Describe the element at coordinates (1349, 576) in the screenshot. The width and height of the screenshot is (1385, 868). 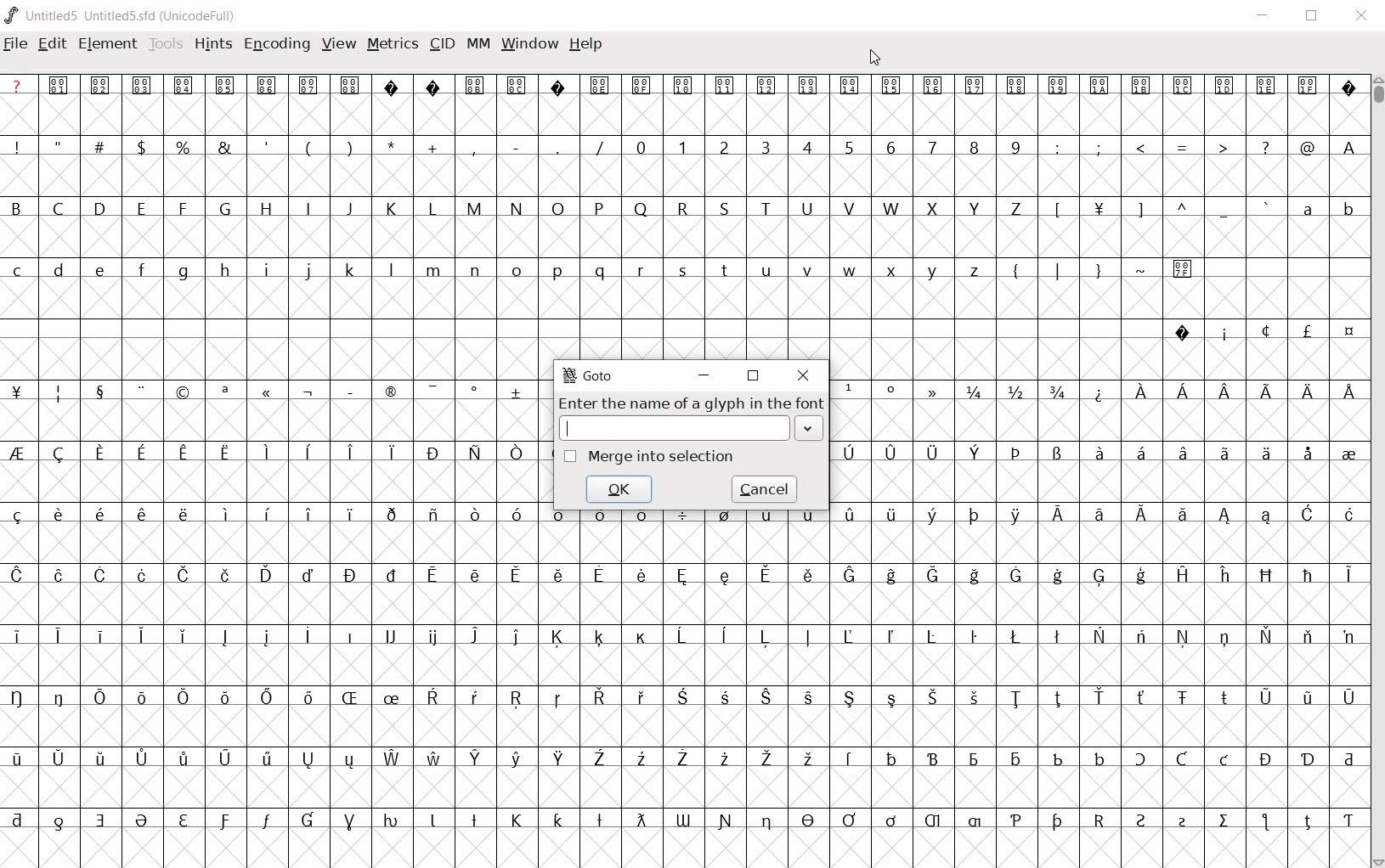
I see `Symbol` at that location.